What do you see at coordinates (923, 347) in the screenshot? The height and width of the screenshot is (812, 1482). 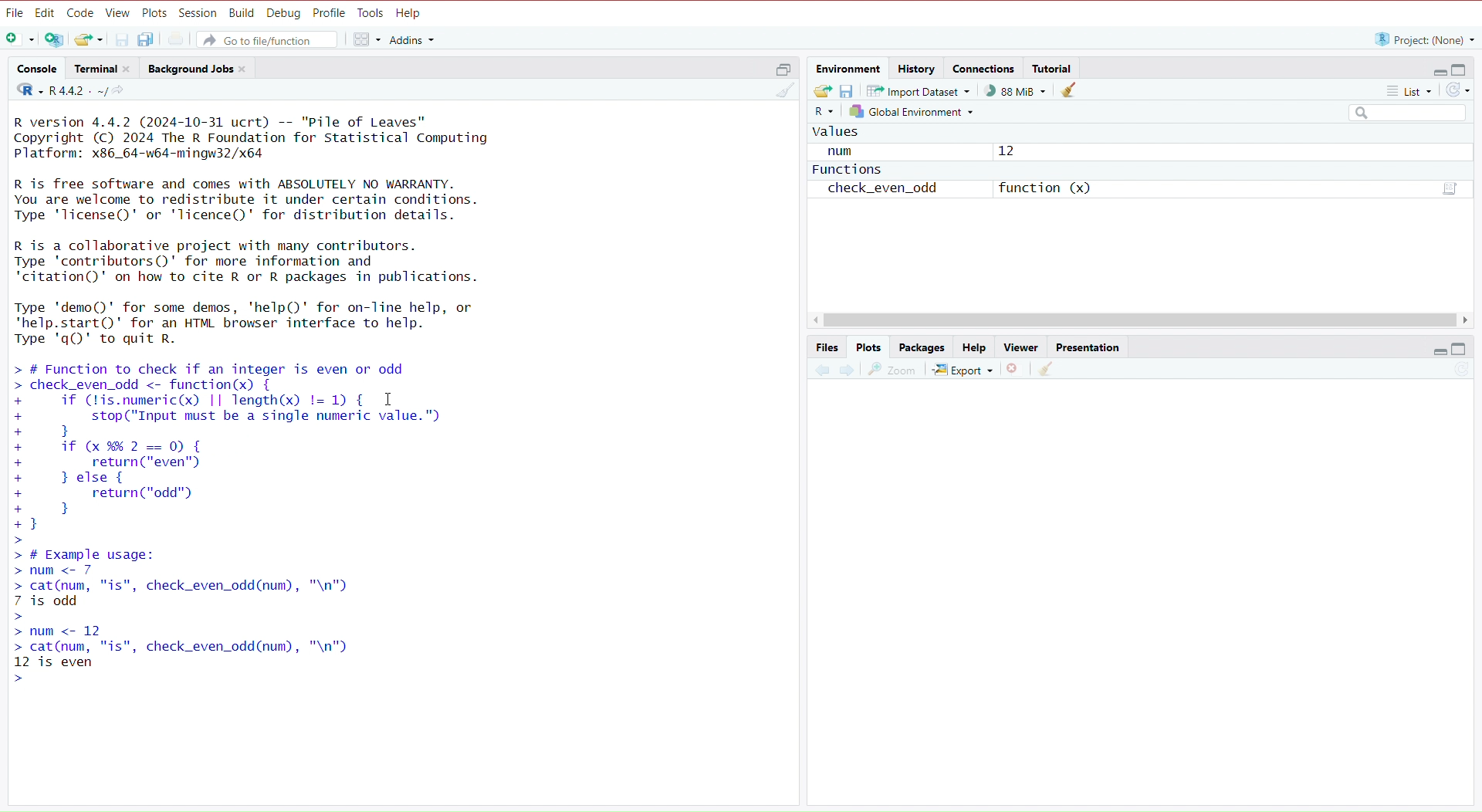 I see `packages` at bounding box center [923, 347].